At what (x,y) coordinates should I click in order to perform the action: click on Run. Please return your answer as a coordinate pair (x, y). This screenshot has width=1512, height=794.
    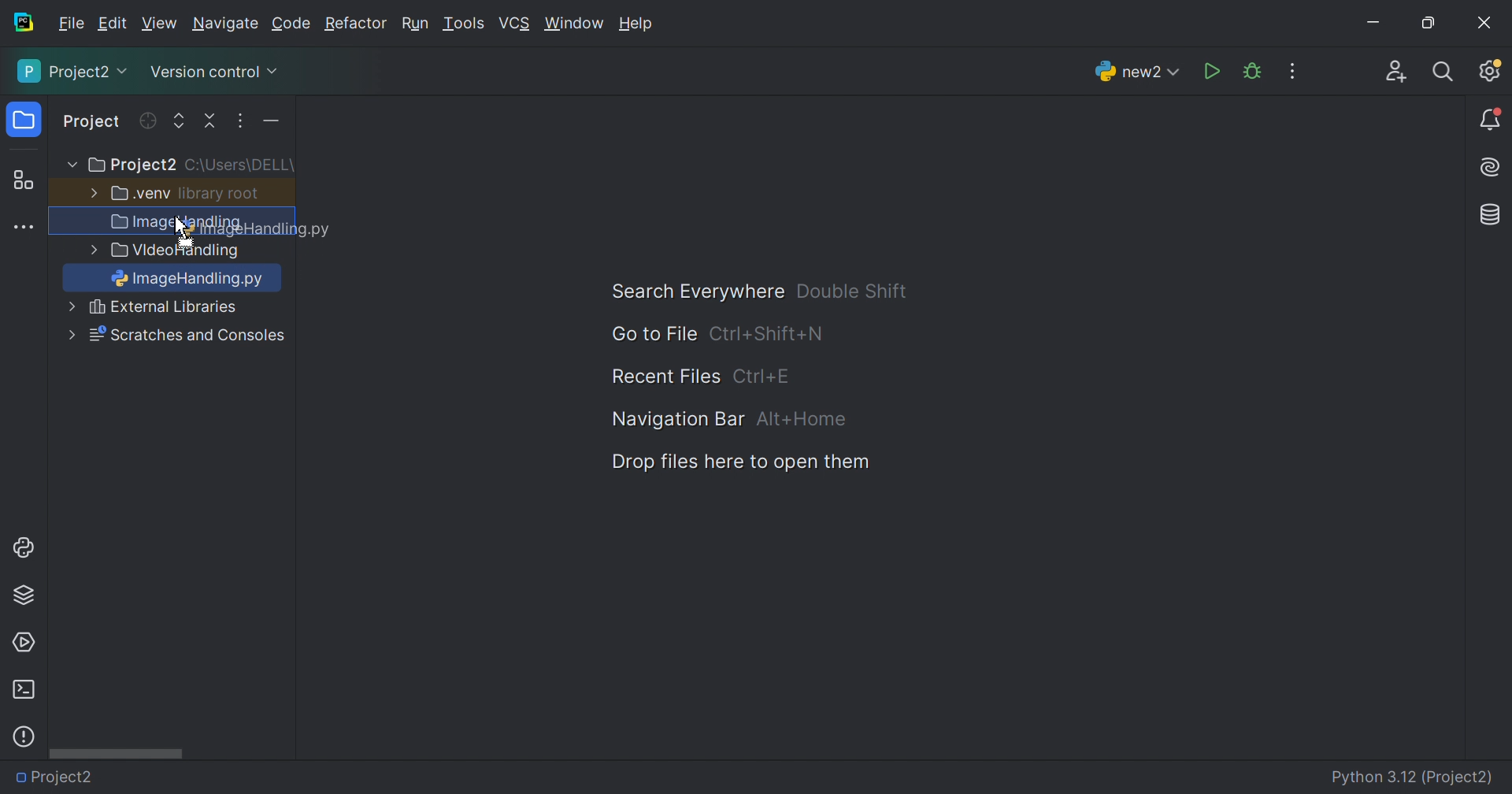
    Looking at the image, I should click on (1214, 72).